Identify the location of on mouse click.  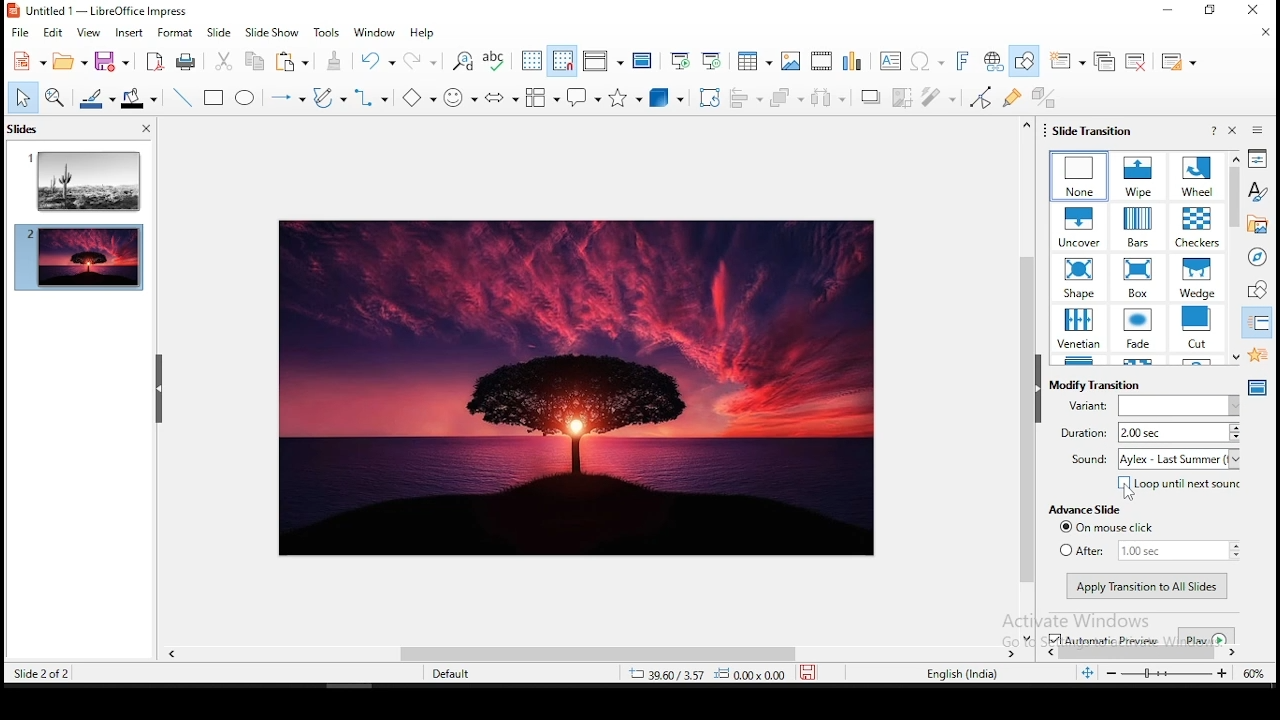
(1104, 528).